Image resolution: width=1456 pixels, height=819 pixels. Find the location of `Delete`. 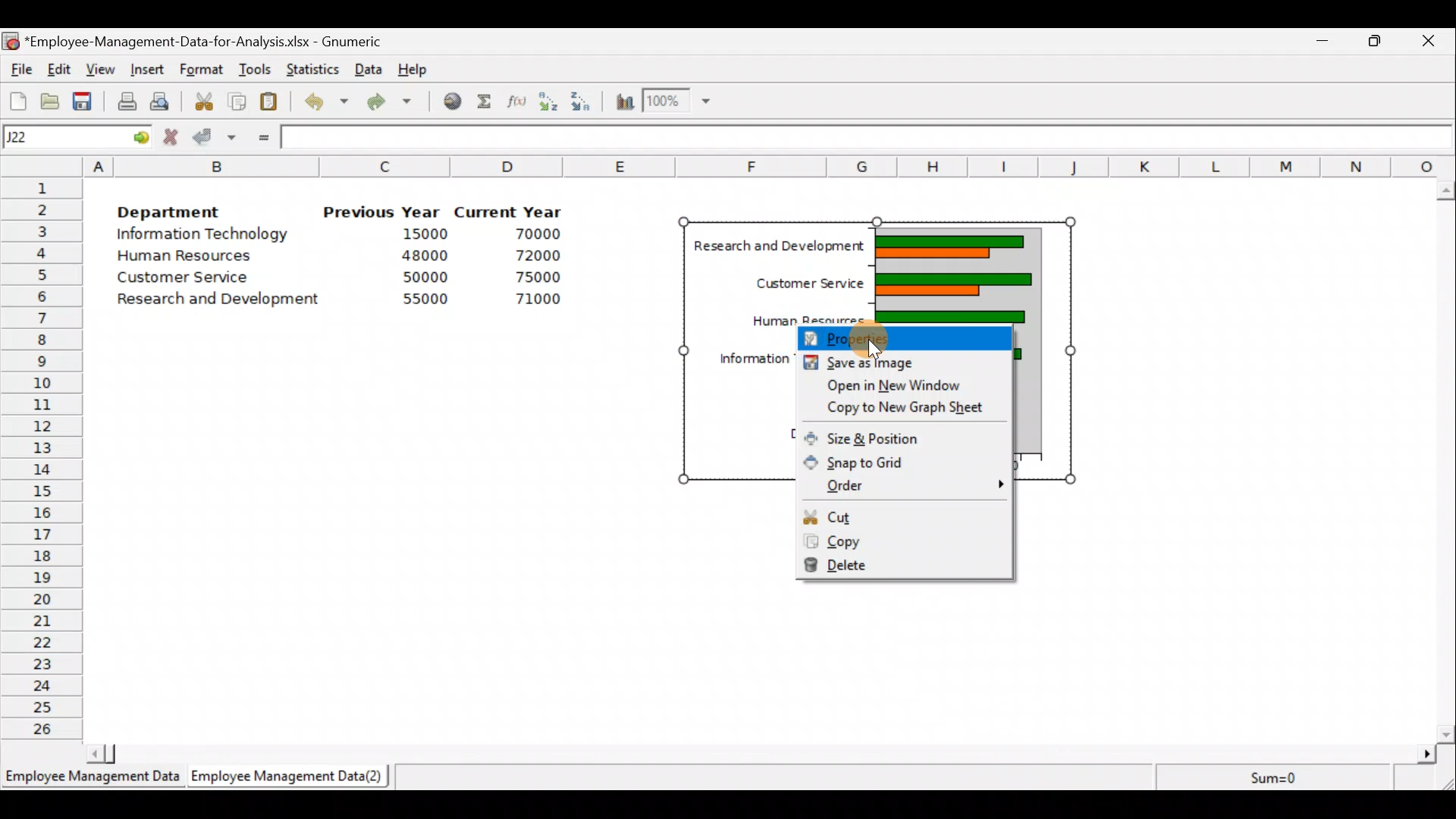

Delete is located at coordinates (836, 569).